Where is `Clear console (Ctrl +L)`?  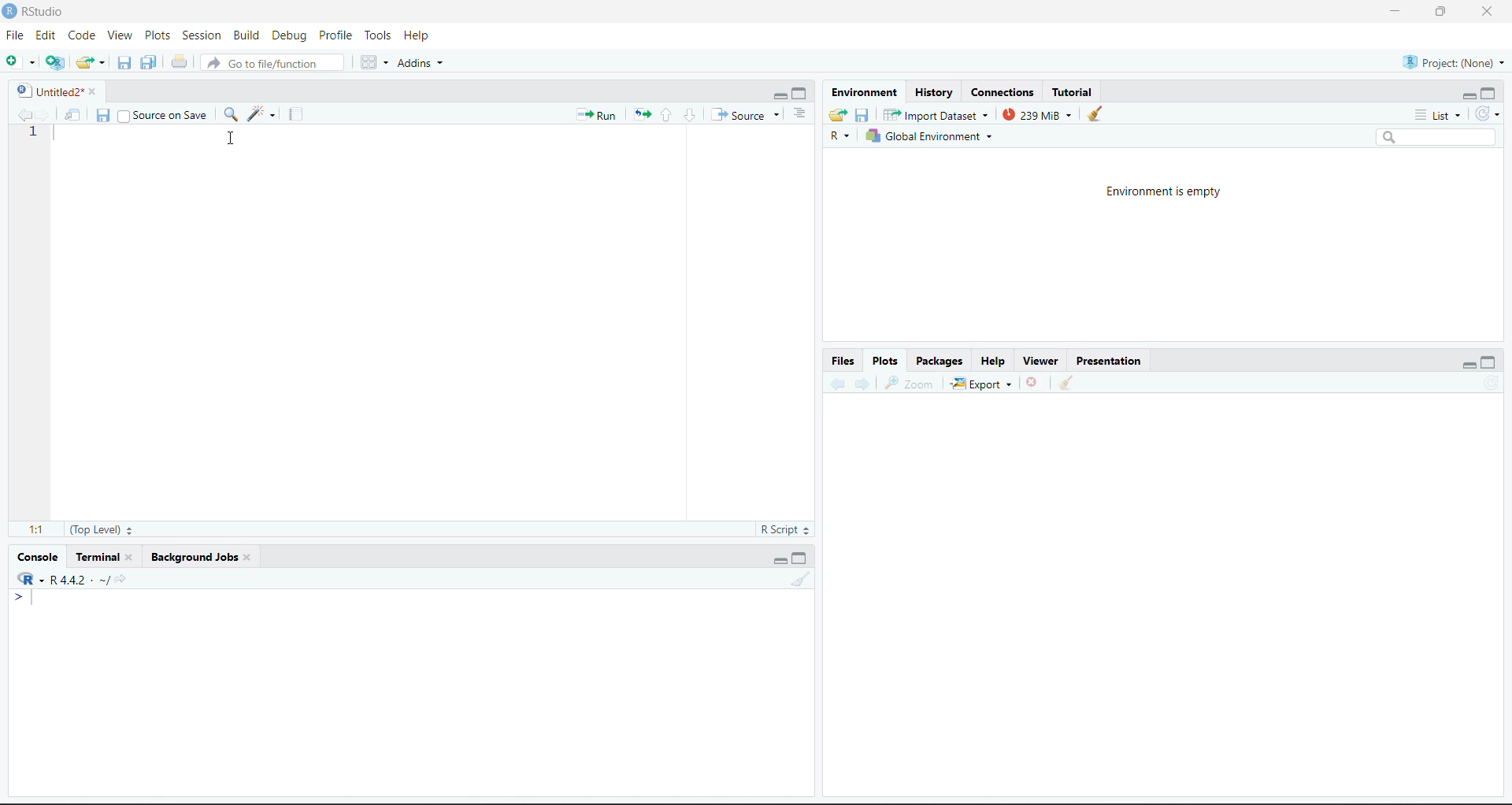 Clear console (Ctrl +L) is located at coordinates (1099, 114).